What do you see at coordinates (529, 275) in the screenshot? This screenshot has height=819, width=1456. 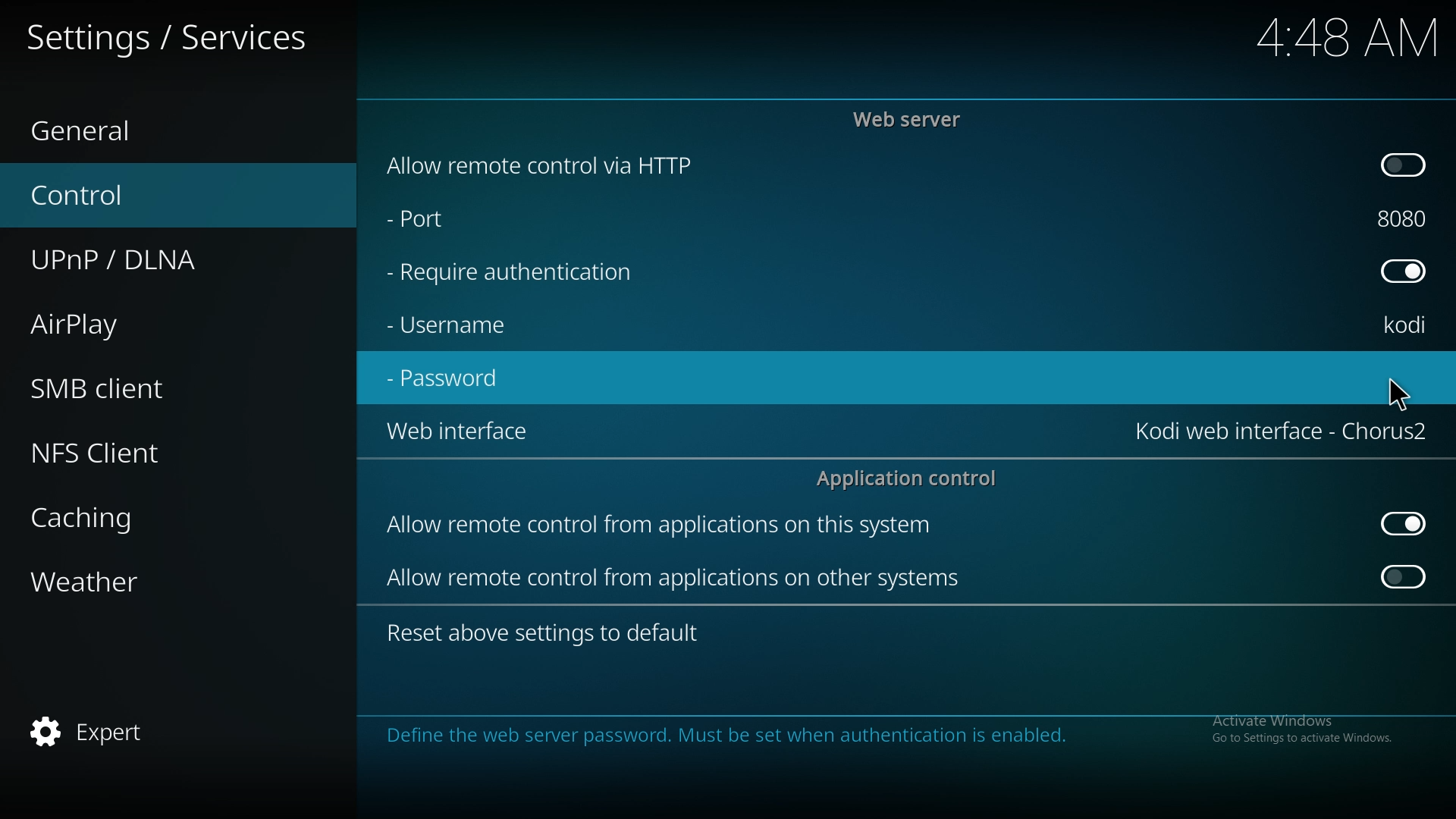 I see `require authentication` at bounding box center [529, 275].